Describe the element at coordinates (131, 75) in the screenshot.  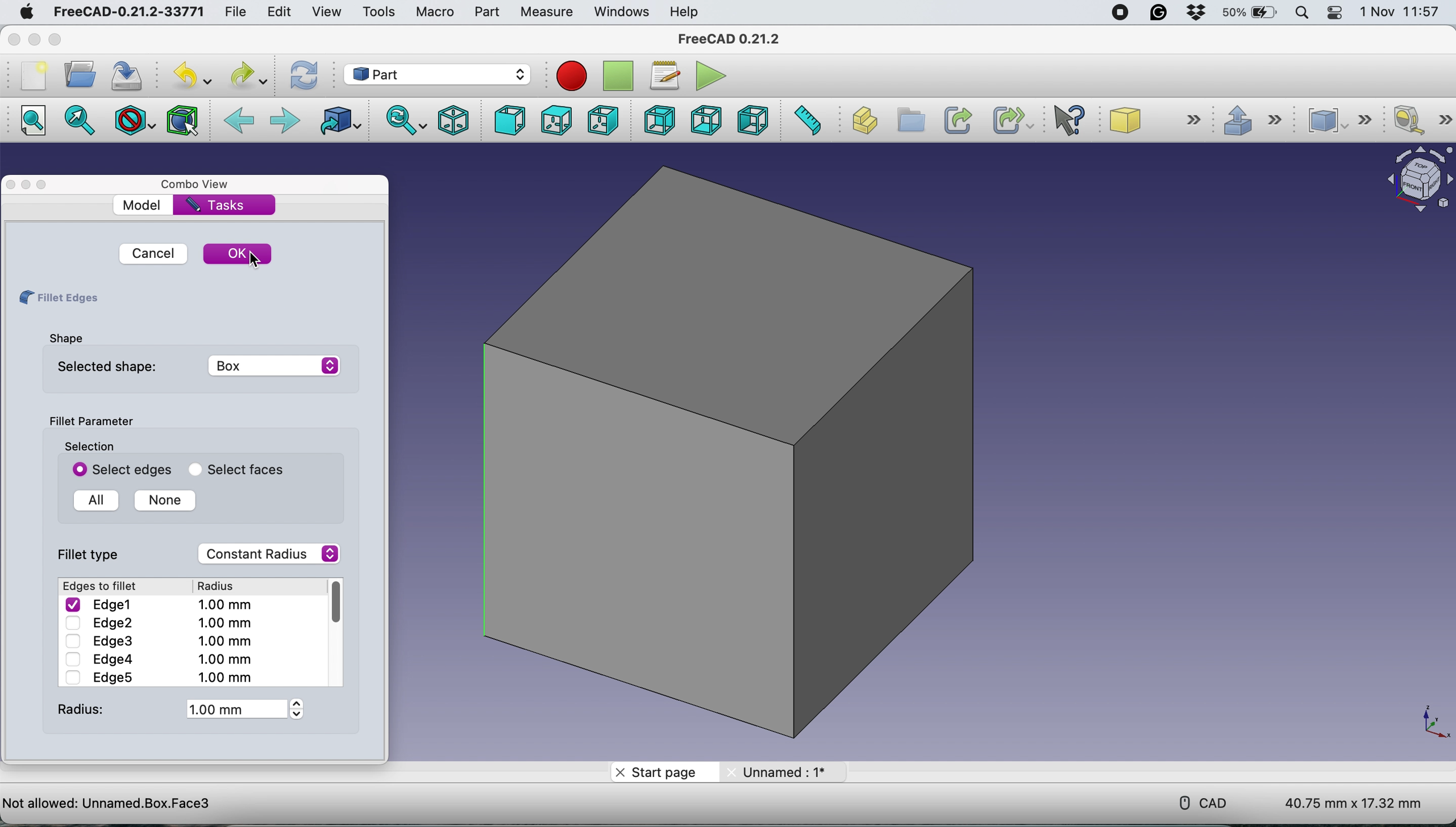
I see `save` at that location.